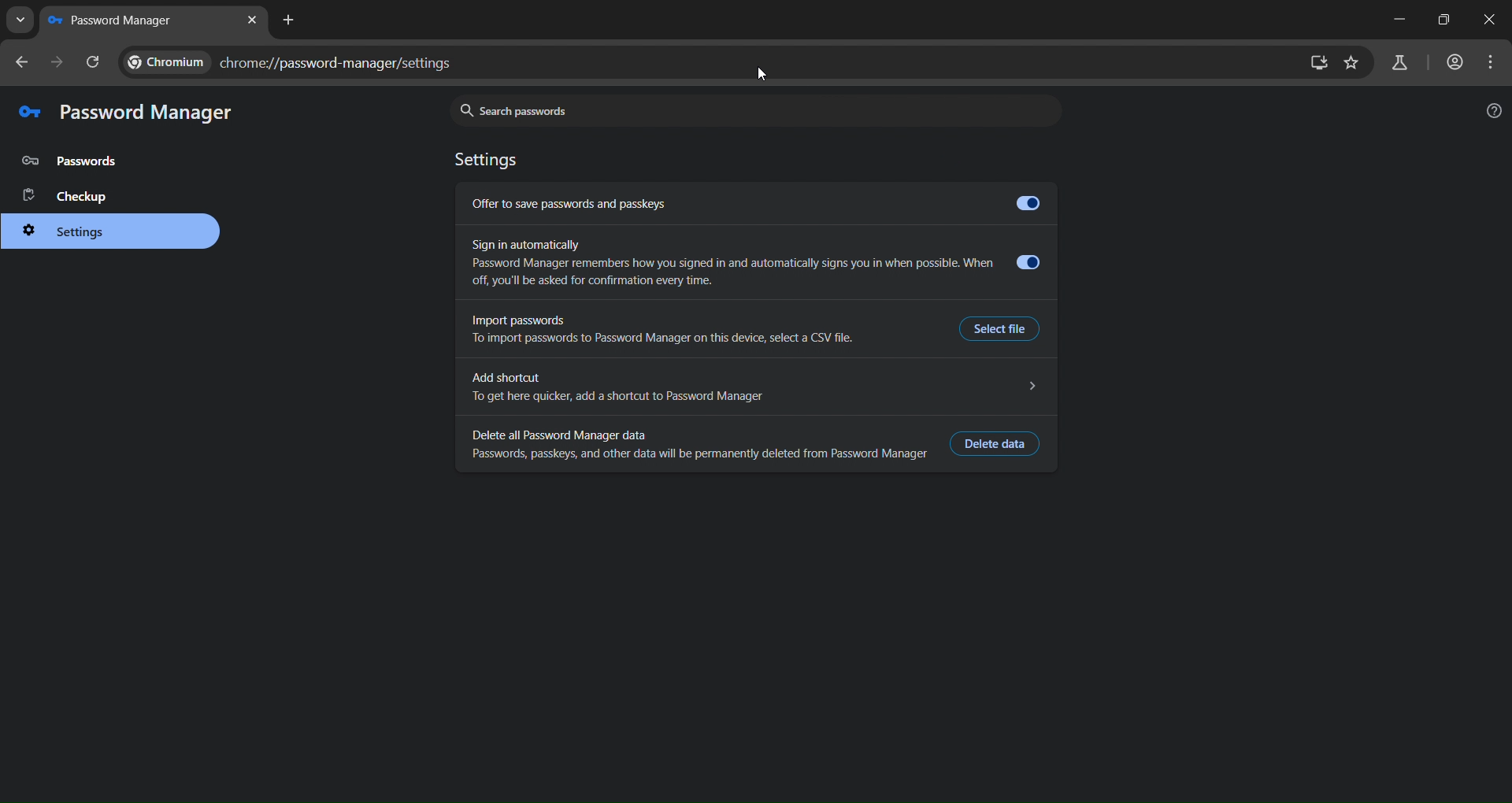 The image size is (1512, 803). What do you see at coordinates (671, 329) in the screenshot?
I see `Import passwords
To import passwords to Password Manager on this device, select a CSV file.` at bounding box center [671, 329].